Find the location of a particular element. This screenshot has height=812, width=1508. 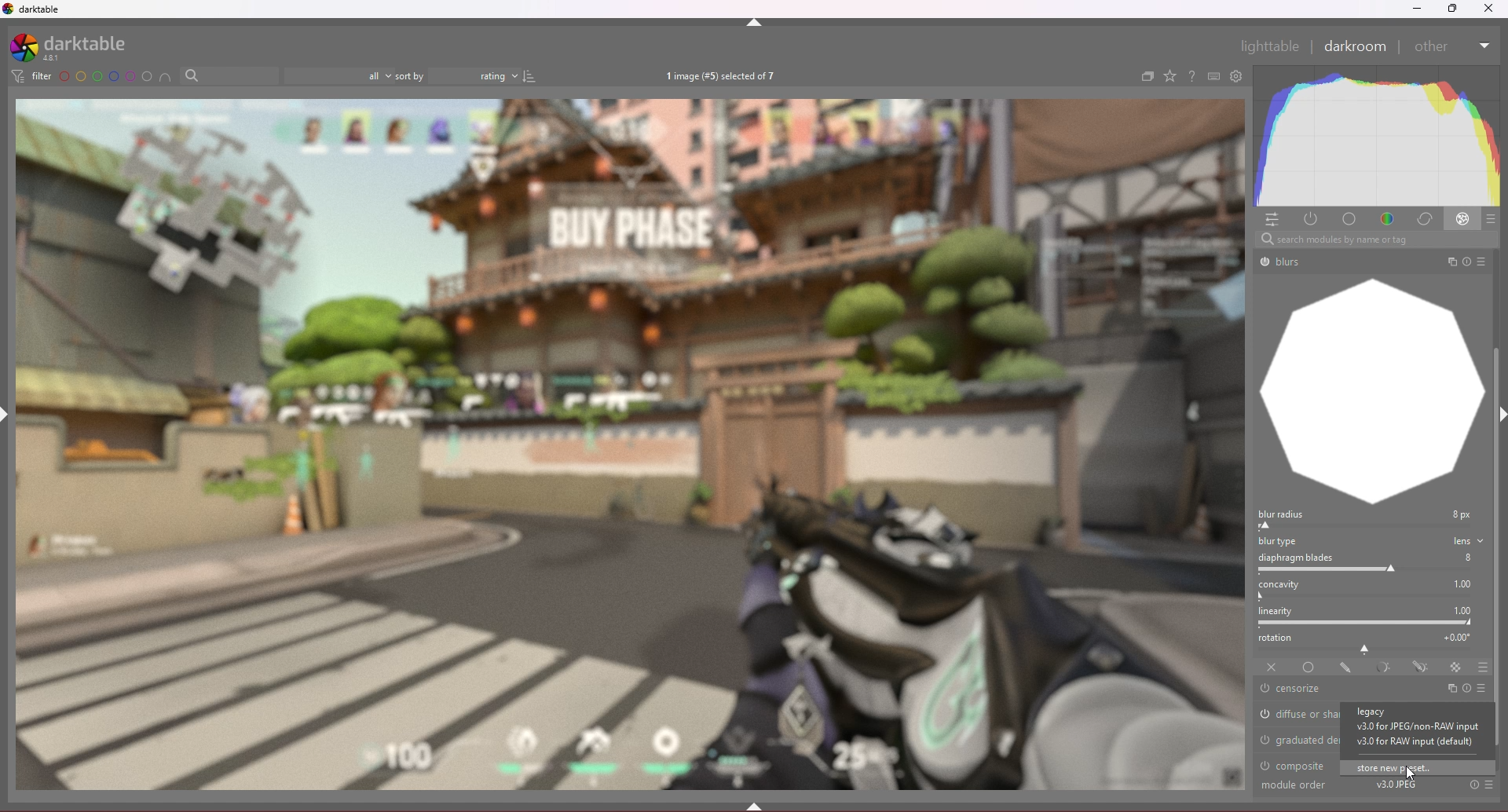

 is located at coordinates (1484, 46).